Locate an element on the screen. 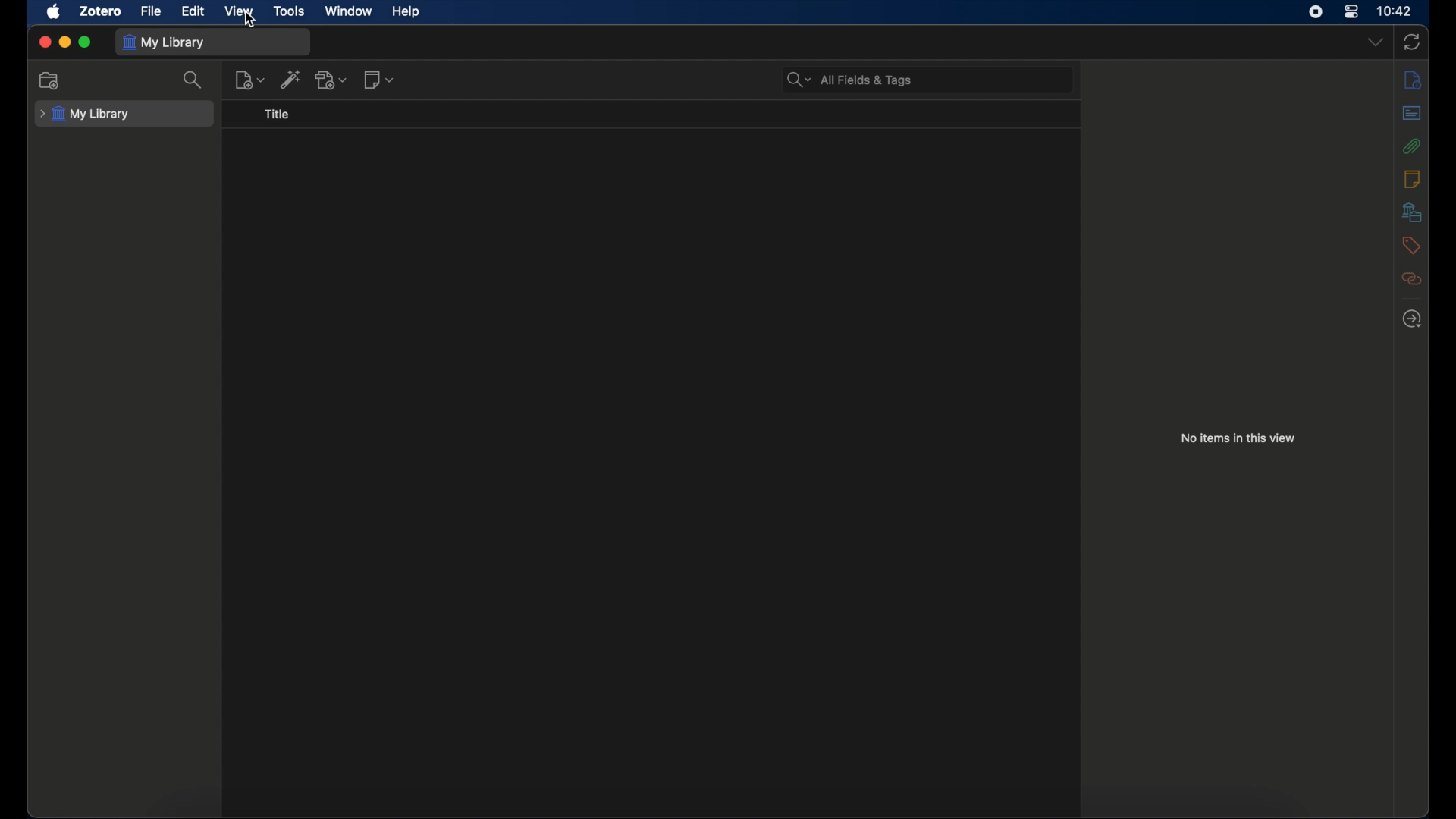  libraries is located at coordinates (1412, 212).